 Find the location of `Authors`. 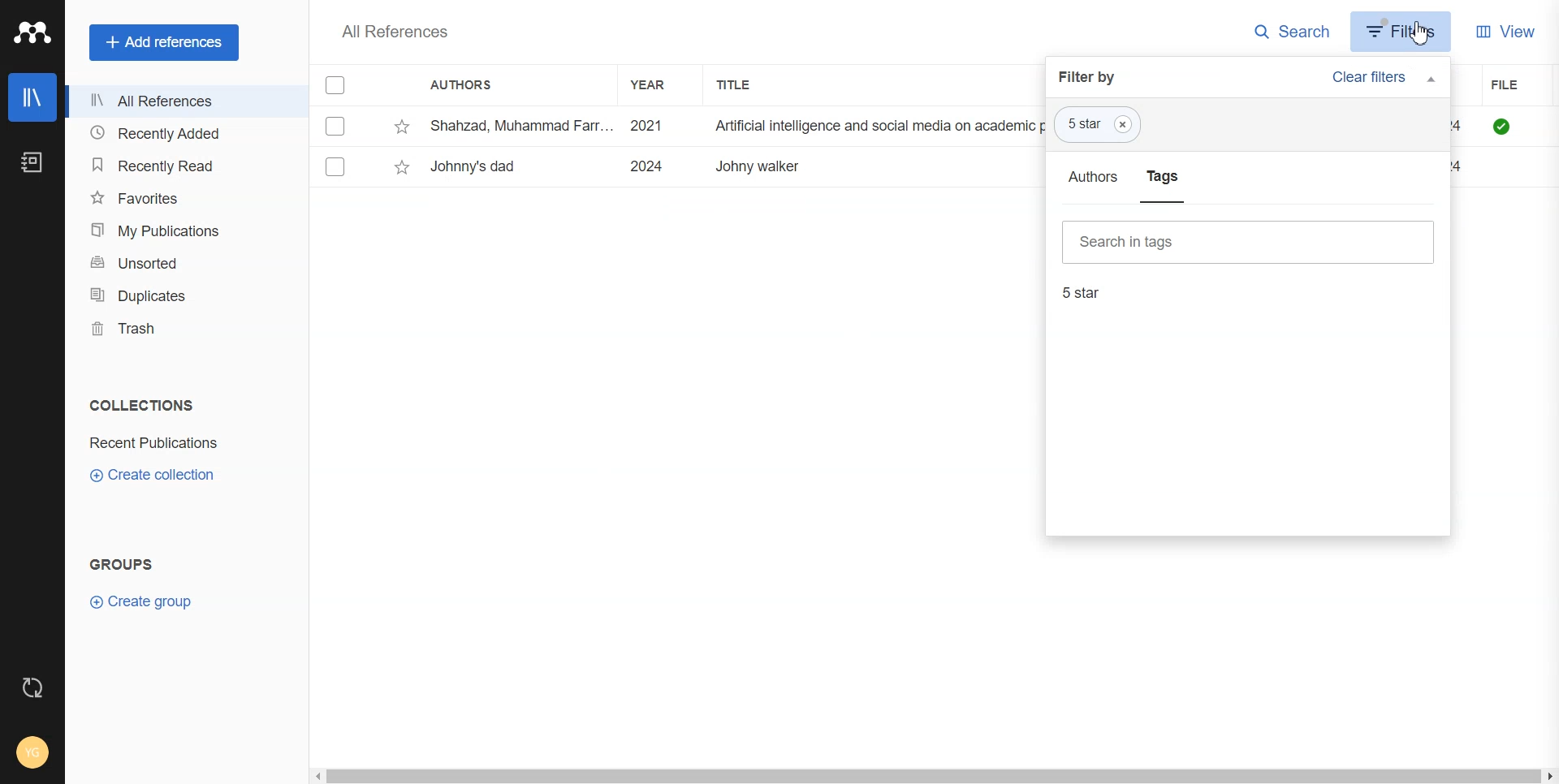

Authors is located at coordinates (1090, 179).